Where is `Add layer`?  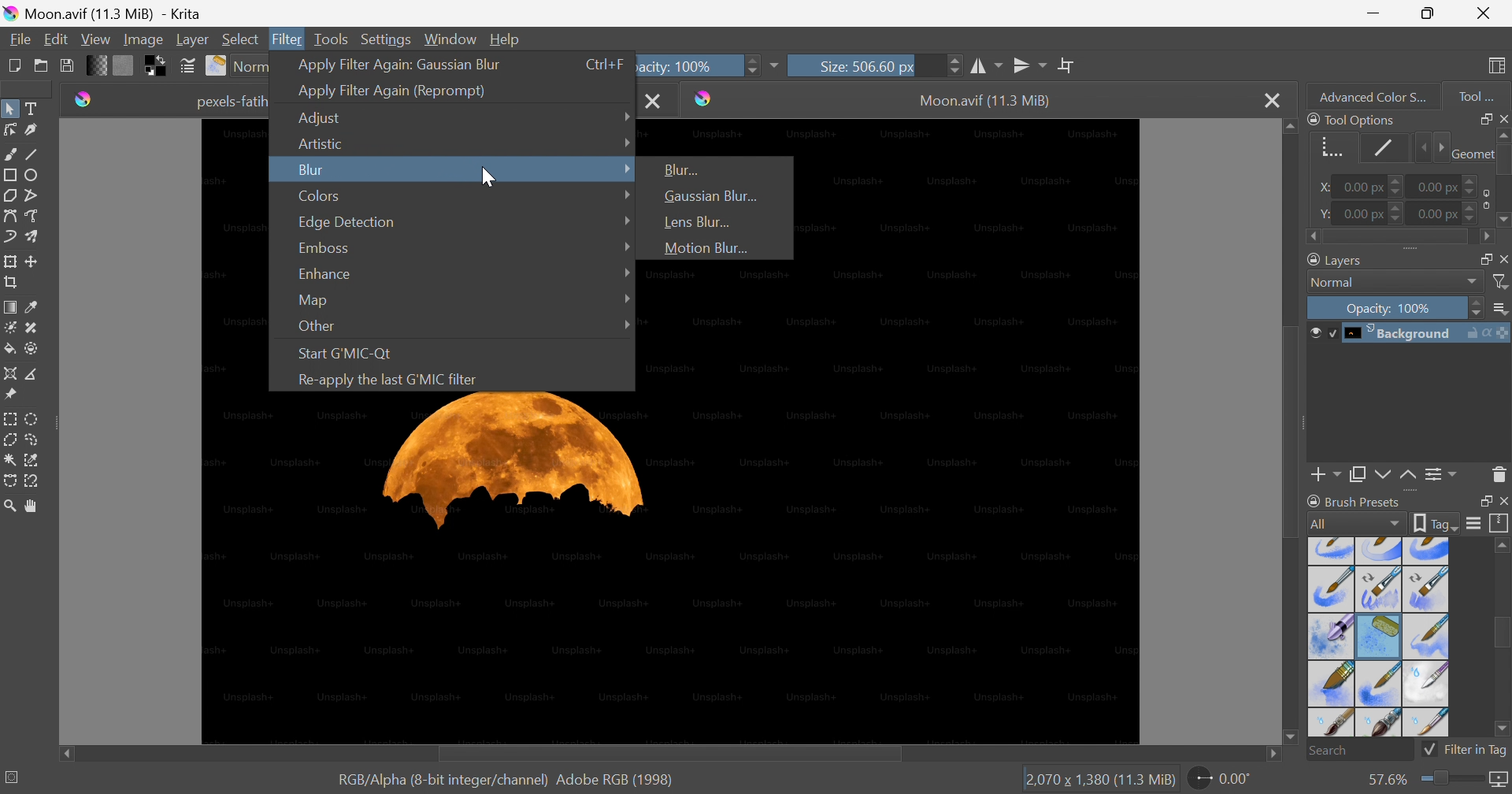 Add layer is located at coordinates (1326, 477).